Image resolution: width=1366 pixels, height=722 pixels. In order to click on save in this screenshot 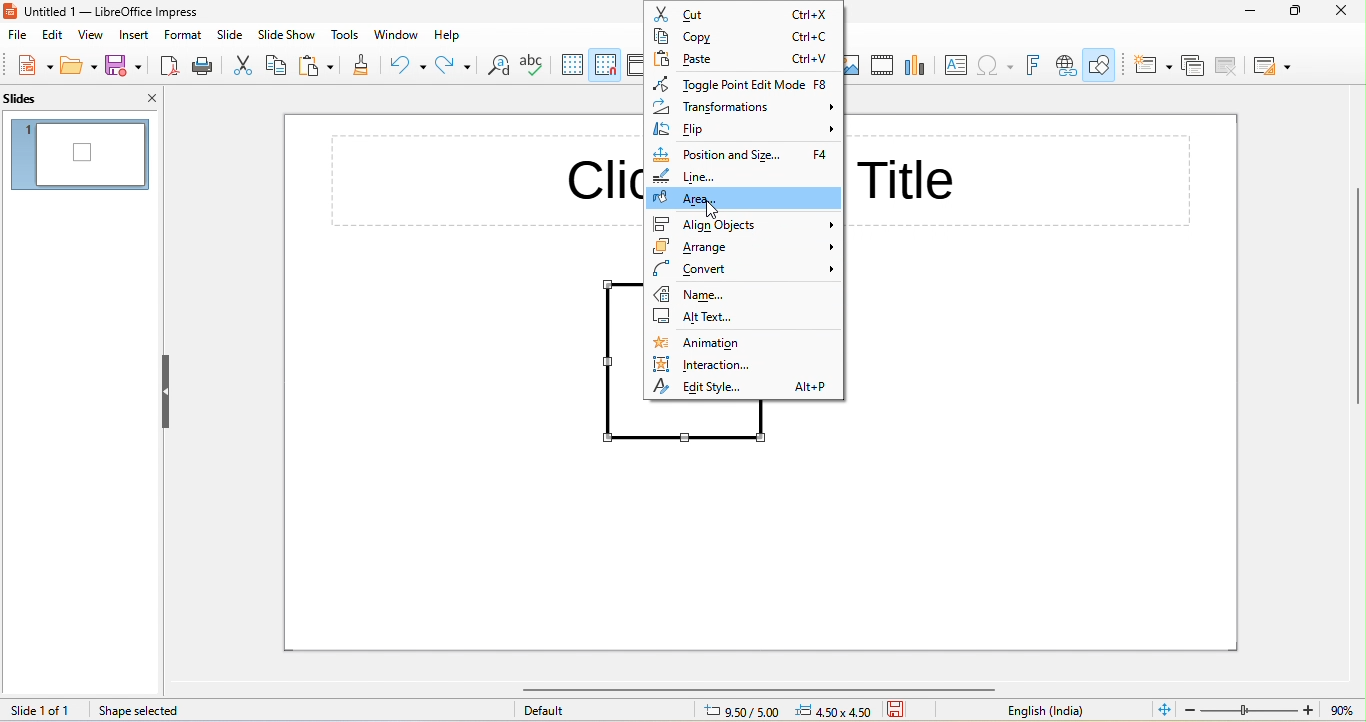, I will do `click(900, 711)`.